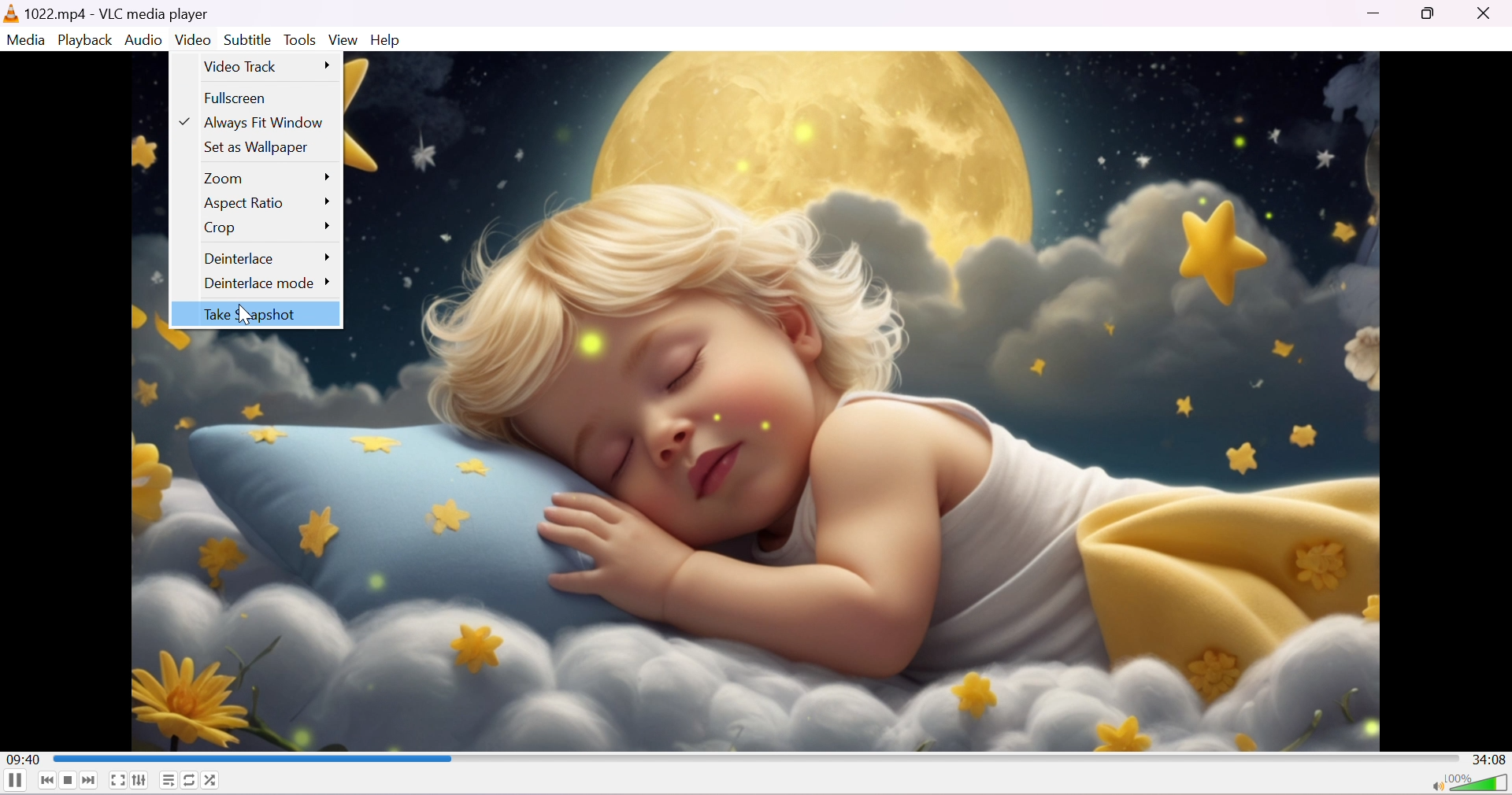 Image resolution: width=1512 pixels, height=795 pixels. What do you see at coordinates (265, 124) in the screenshot?
I see `Always Fit Window` at bounding box center [265, 124].